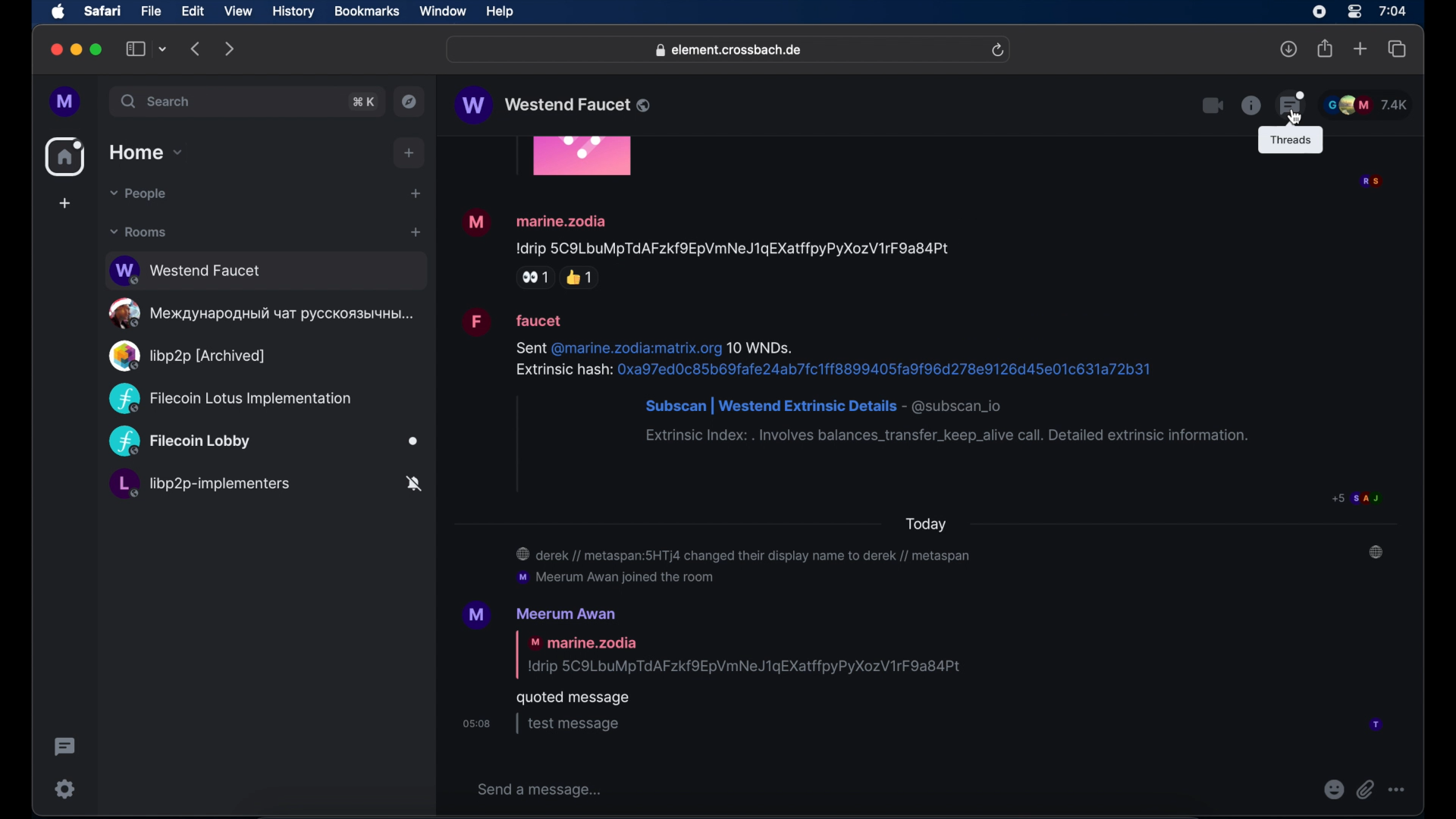 This screenshot has width=1456, height=819. Describe the element at coordinates (443, 11) in the screenshot. I see `window` at that location.